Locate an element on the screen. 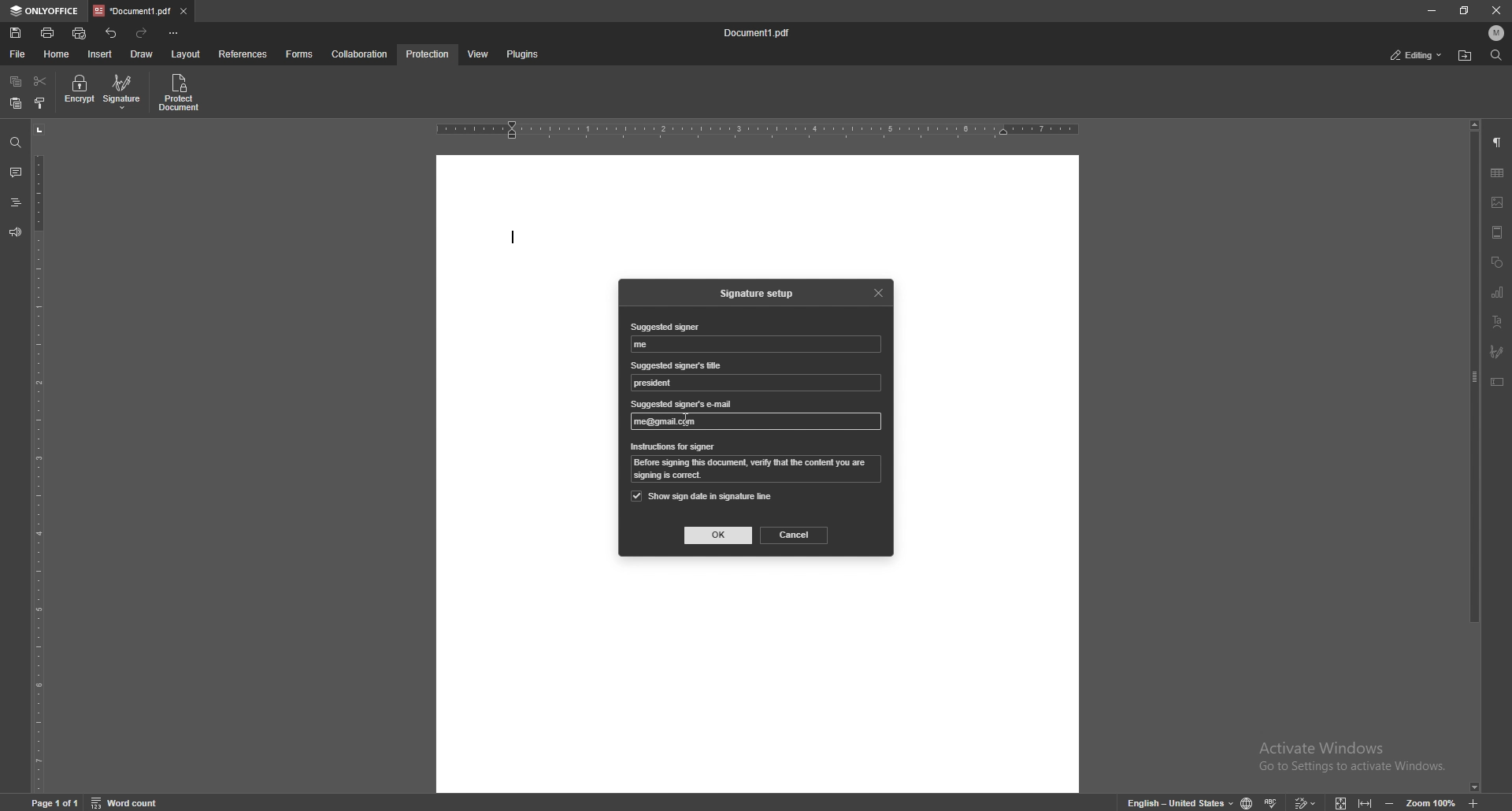 The width and height of the screenshot is (1512, 811). instrauctions for signer is located at coordinates (673, 447).